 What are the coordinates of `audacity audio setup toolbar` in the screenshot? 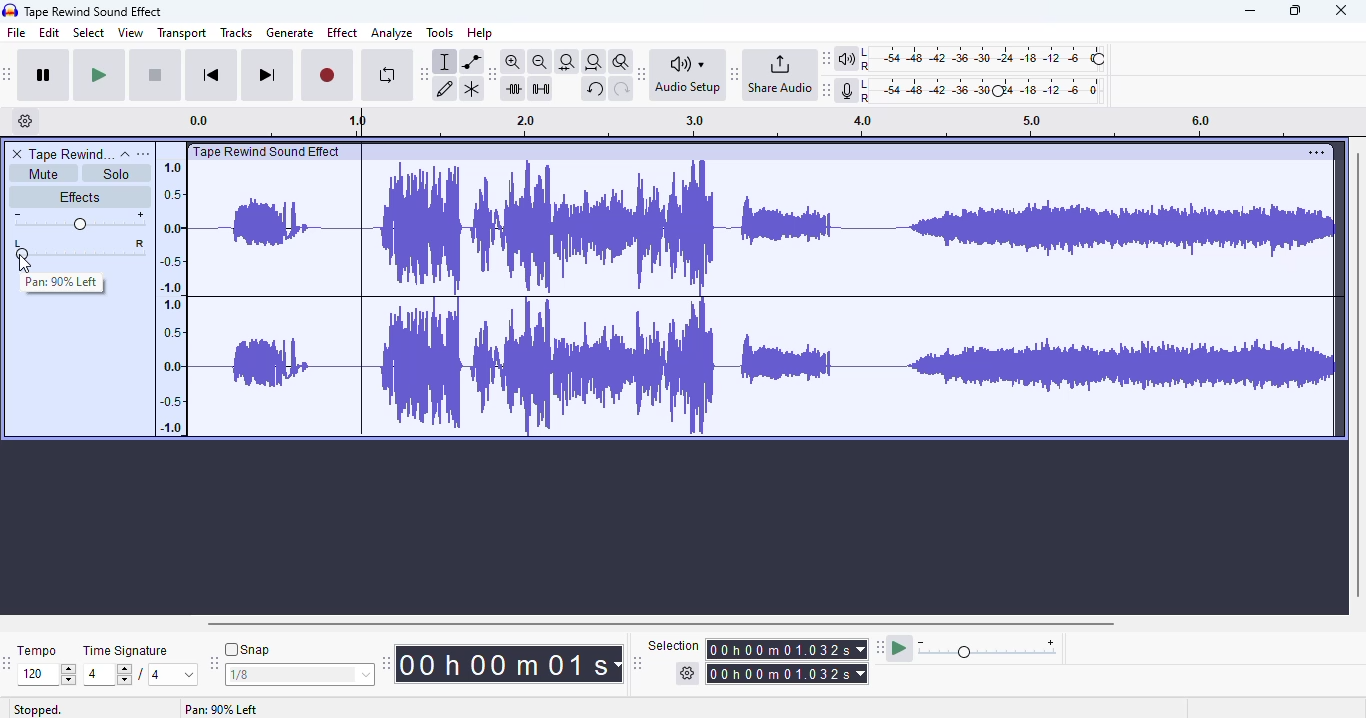 It's located at (642, 74).